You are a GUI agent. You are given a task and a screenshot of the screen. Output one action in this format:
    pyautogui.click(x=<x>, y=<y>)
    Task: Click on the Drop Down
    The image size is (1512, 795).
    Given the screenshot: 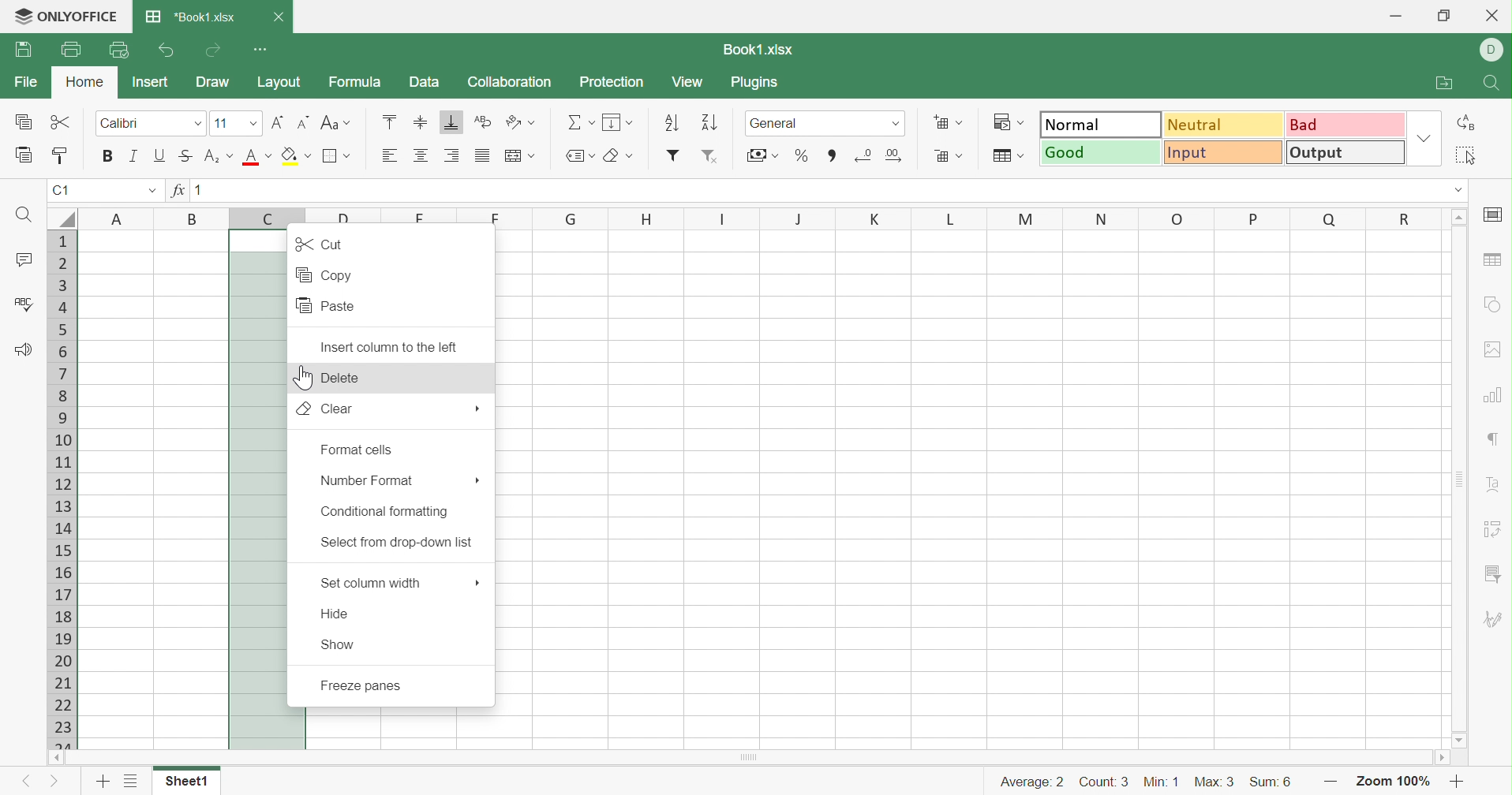 What is the action you would take?
    pyautogui.click(x=591, y=123)
    